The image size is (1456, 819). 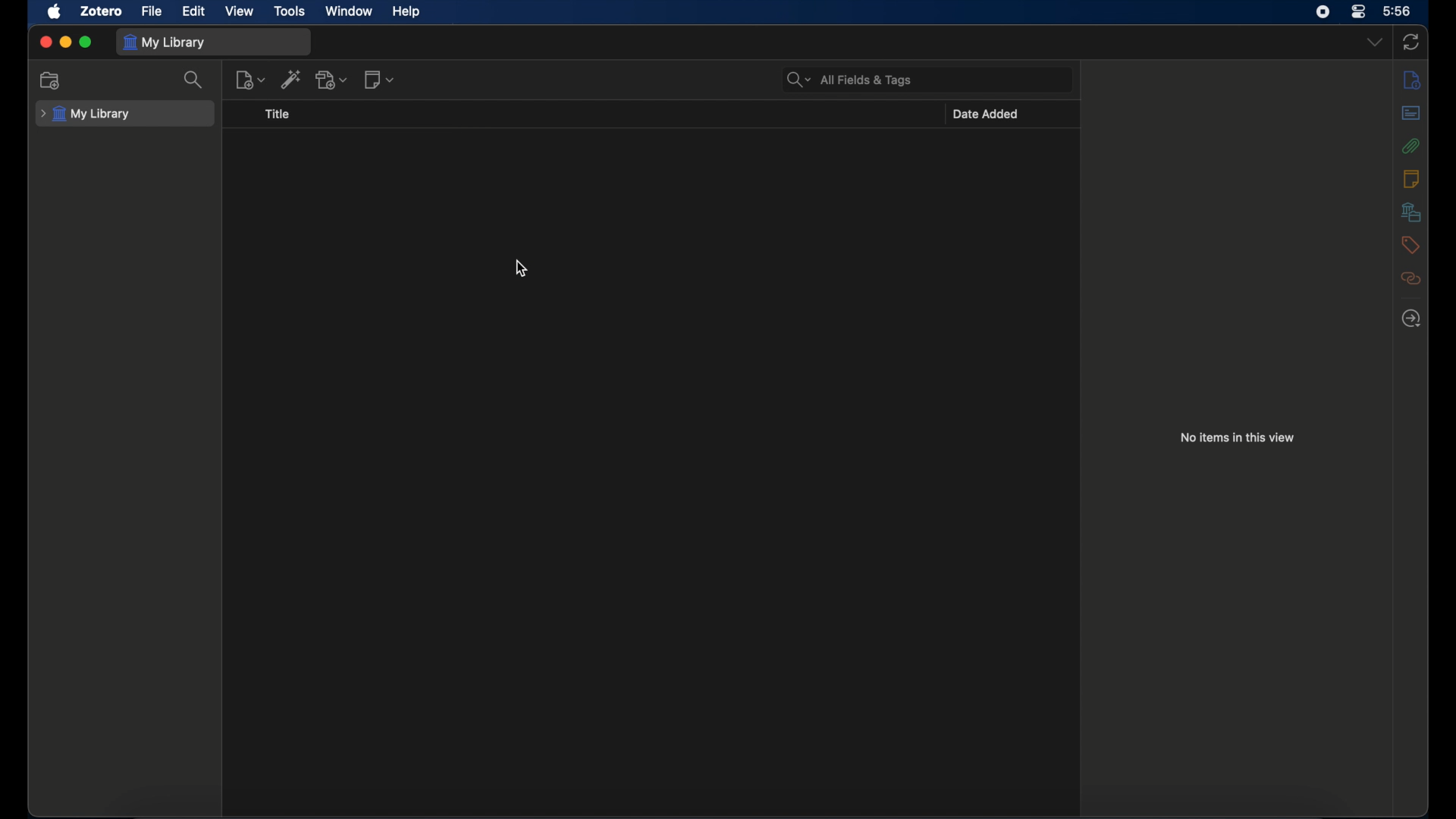 What do you see at coordinates (54, 11) in the screenshot?
I see `apple icon` at bounding box center [54, 11].